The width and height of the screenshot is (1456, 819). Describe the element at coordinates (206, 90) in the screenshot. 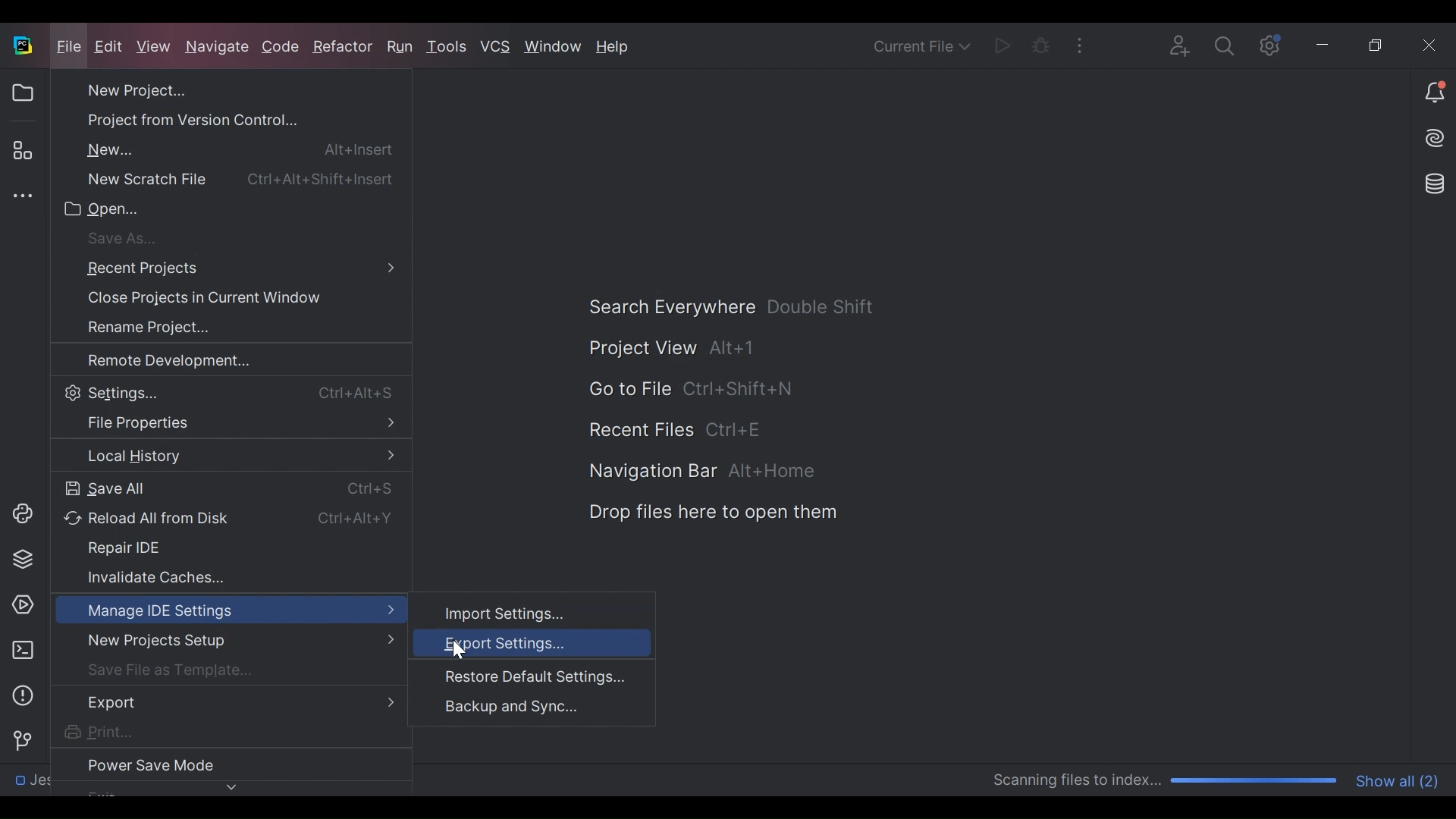

I see `New Project` at that location.